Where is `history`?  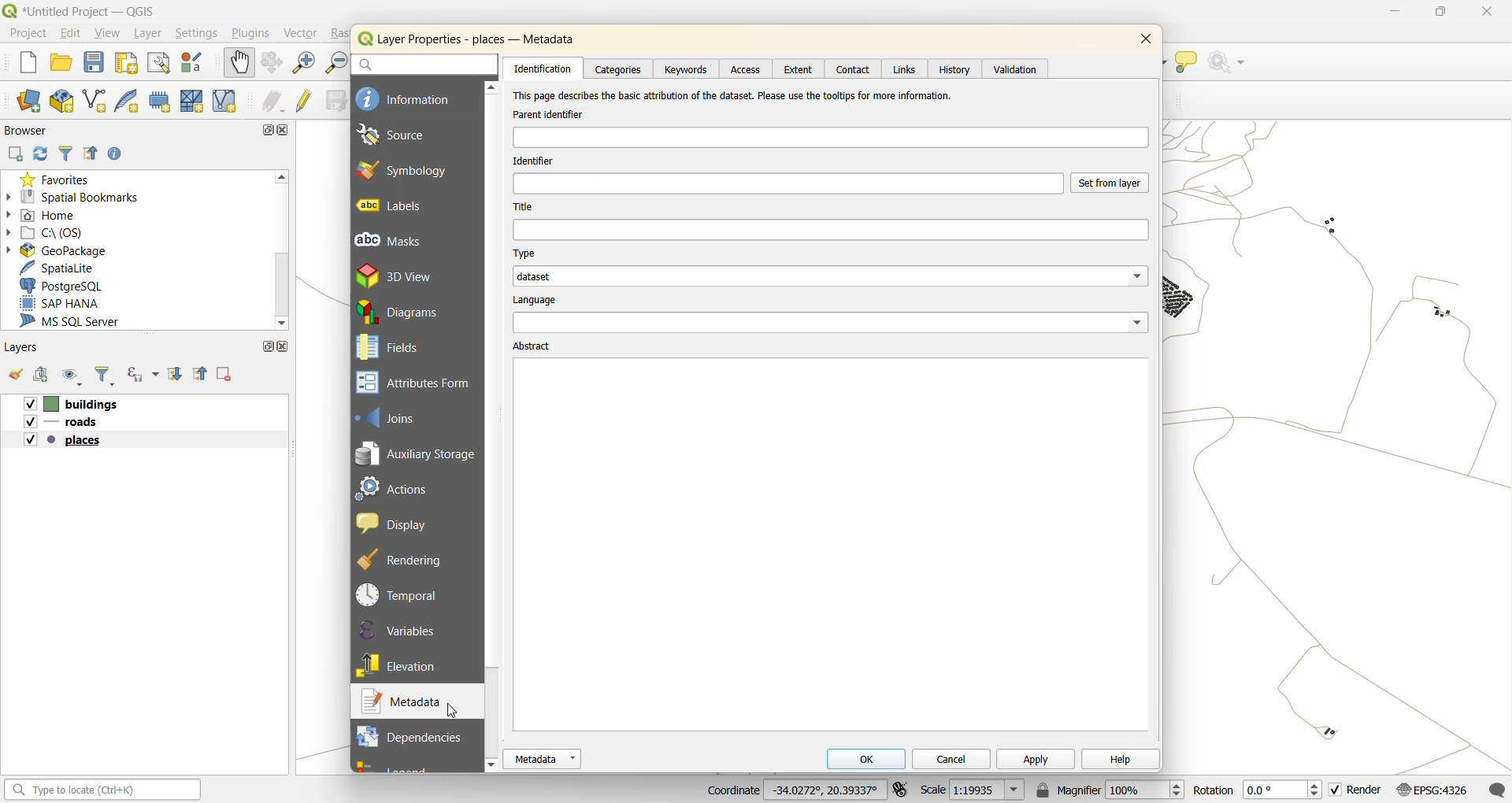 history is located at coordinates (955, 72).